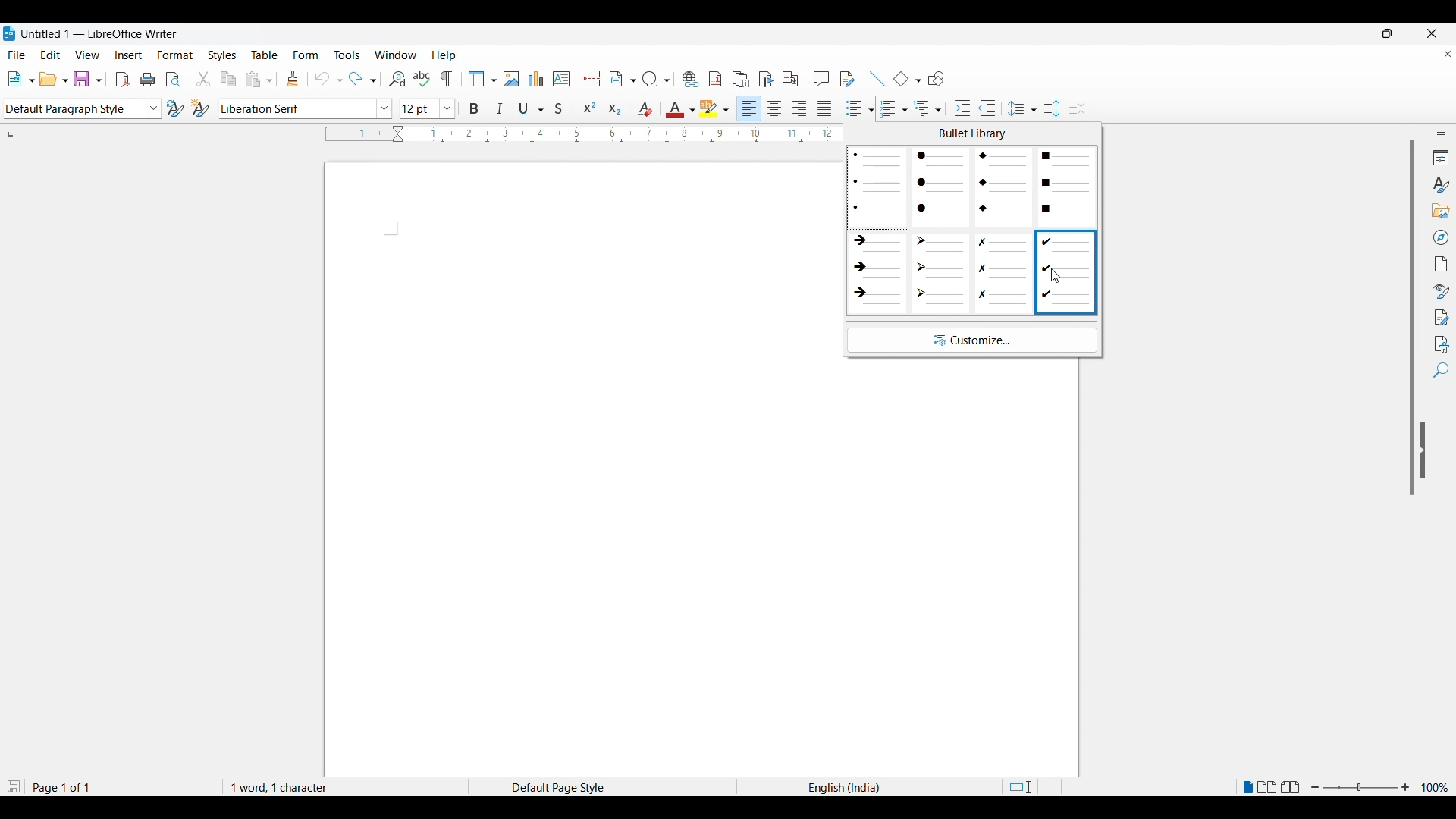 The height and width of the screenshot is (819, 1456). Describe the element at coordinates (1022, 105) in the screenshot. I see `Selected line spacing` at that location.